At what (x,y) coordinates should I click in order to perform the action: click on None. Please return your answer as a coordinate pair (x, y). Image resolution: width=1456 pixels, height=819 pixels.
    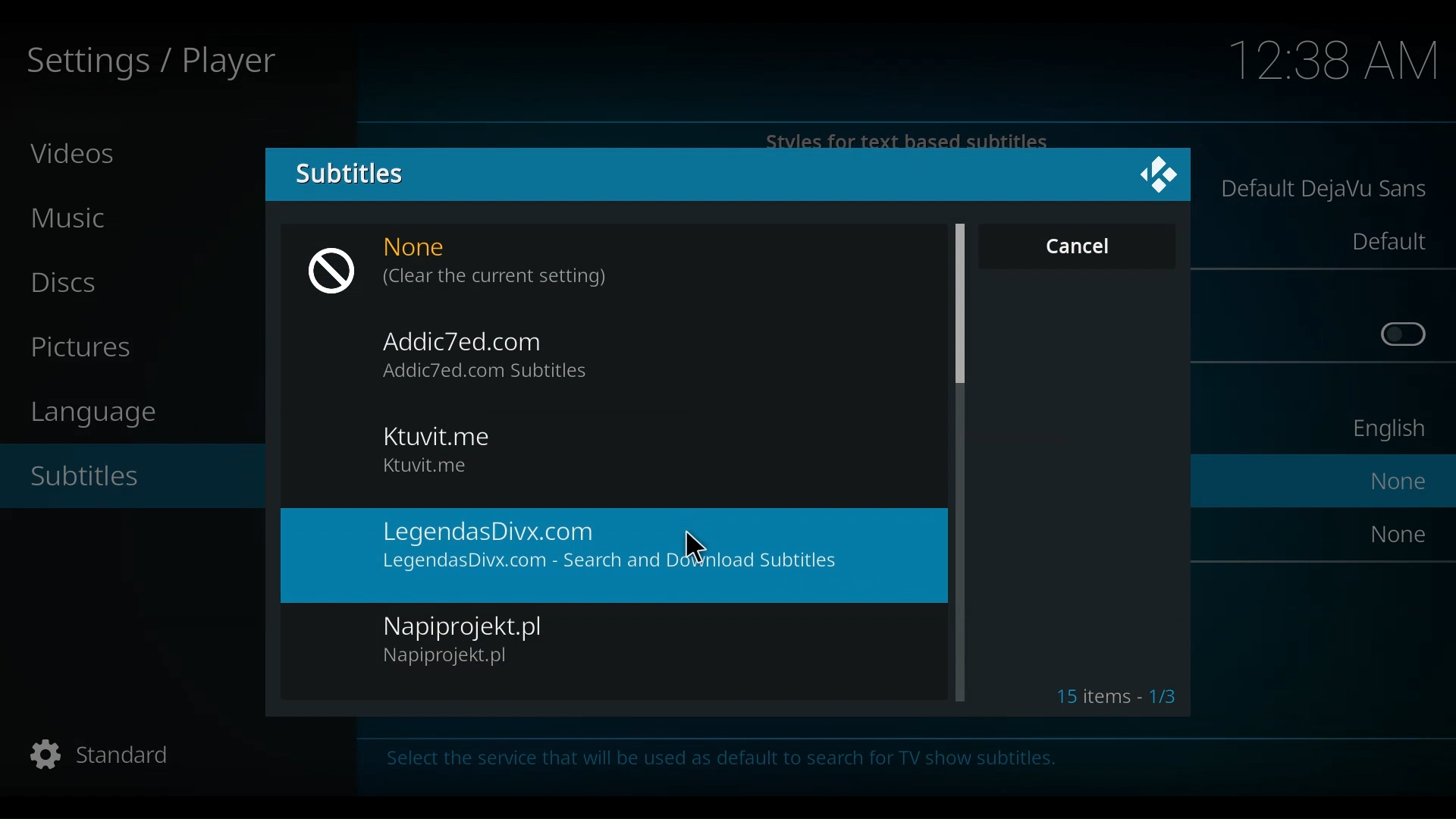
    Looking at the image, I should click on (1400, 533).